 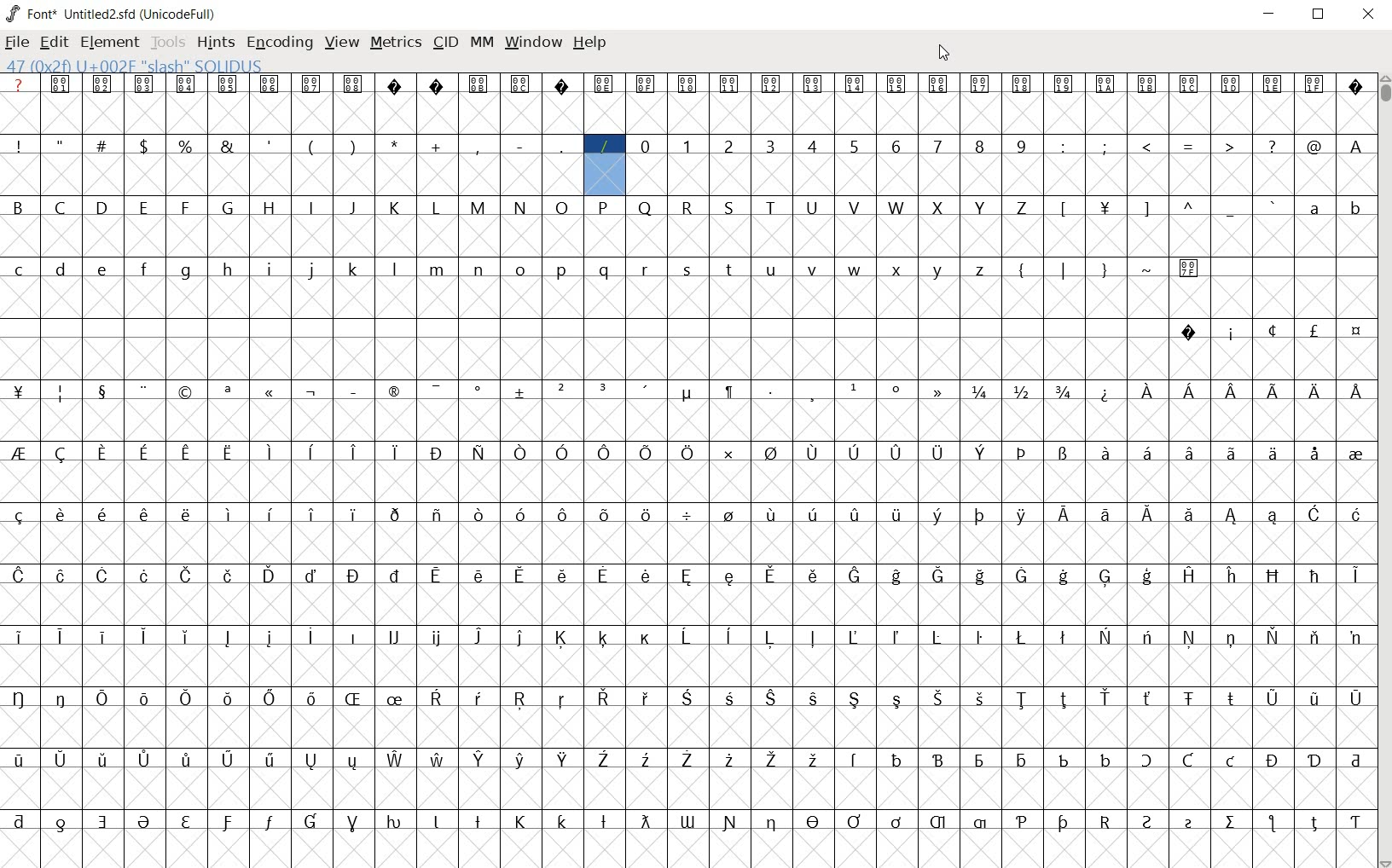 What do you see at coordinates (520, 699) in the screenshot?
I see `glyph` at bounding box center [520, 699].